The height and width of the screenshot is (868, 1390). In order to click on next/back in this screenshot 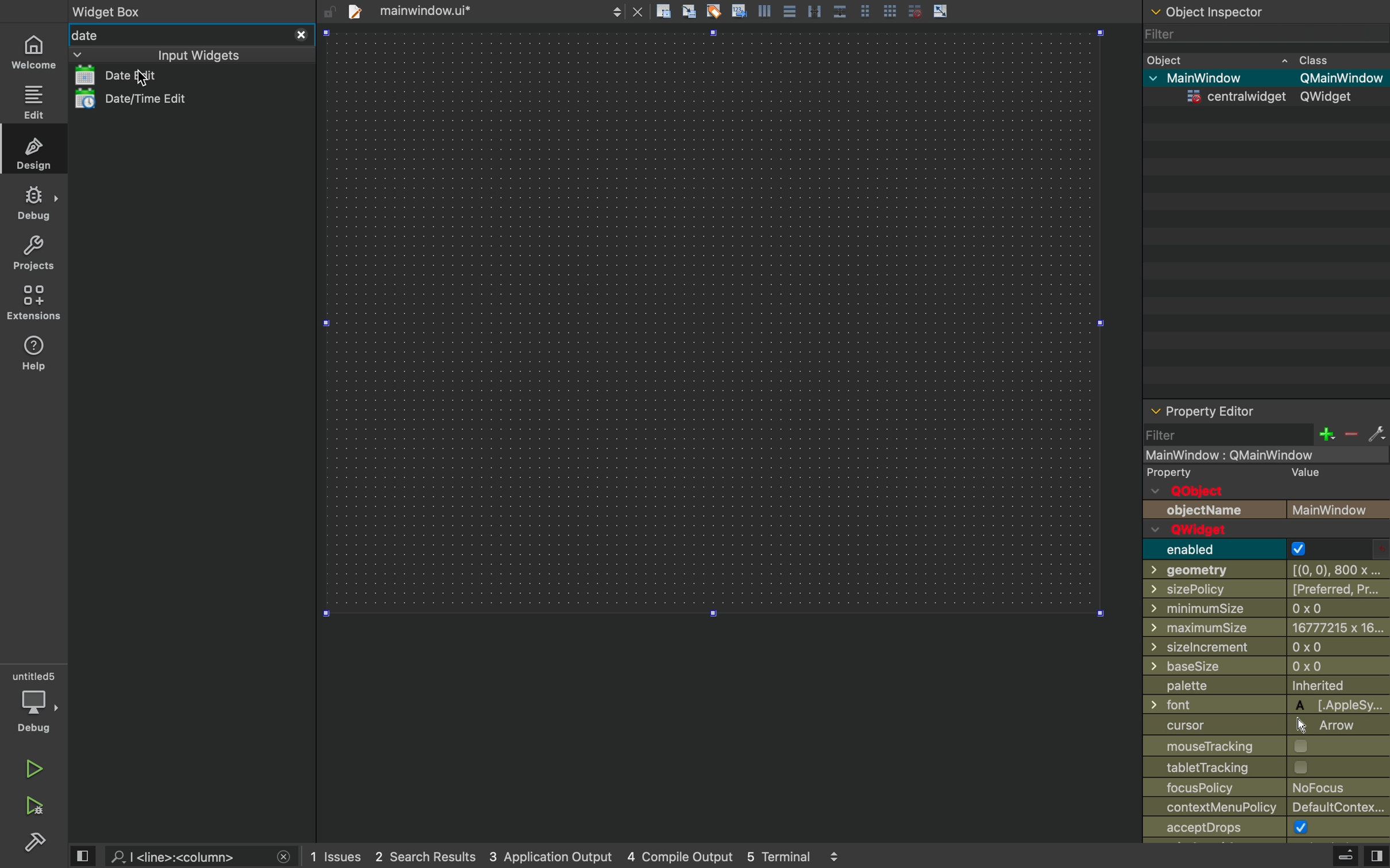, I will do `click(616, 10)`.